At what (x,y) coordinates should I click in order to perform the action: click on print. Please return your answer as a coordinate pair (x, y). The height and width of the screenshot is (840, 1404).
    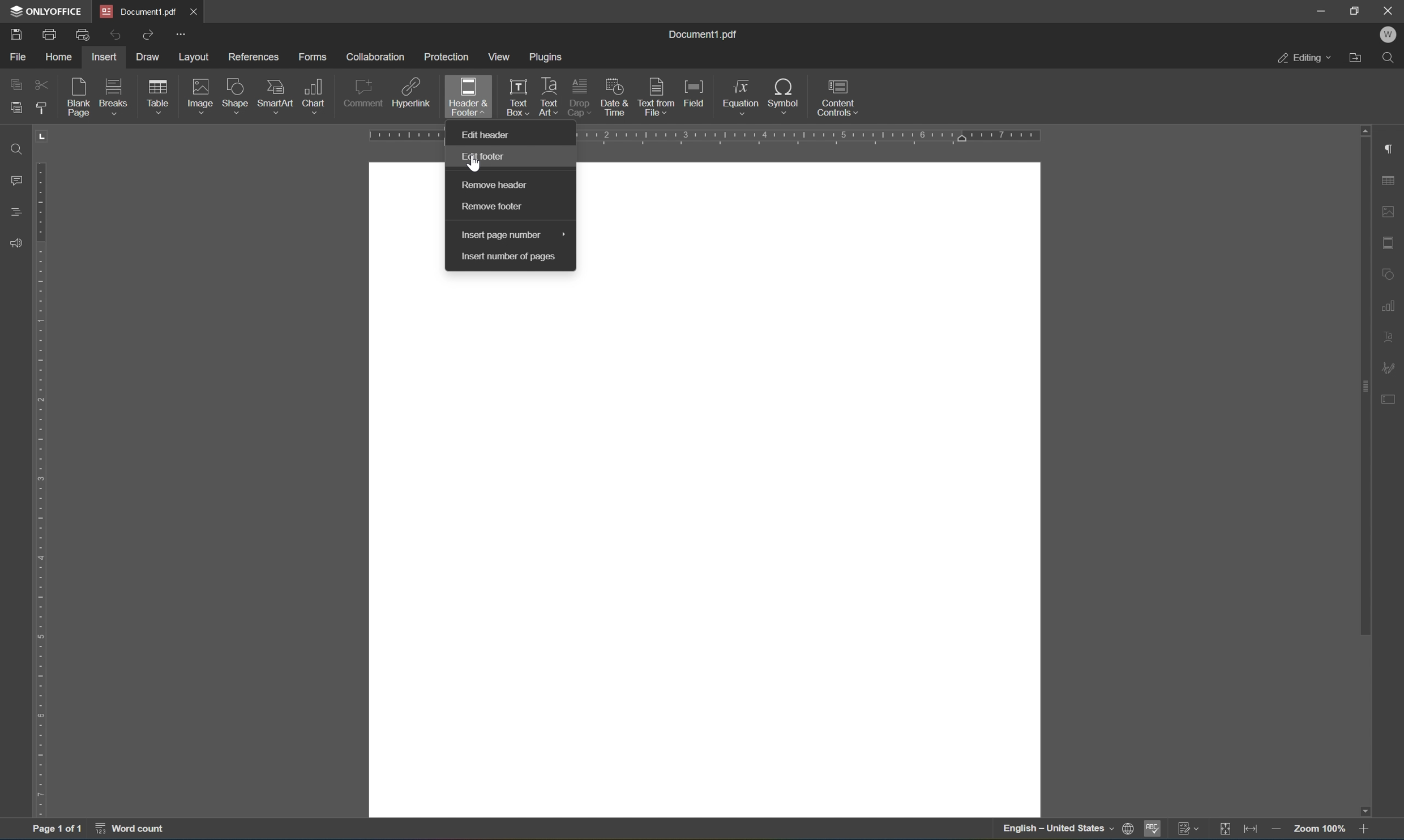
    Looking at the image, I should click on (46, 35).